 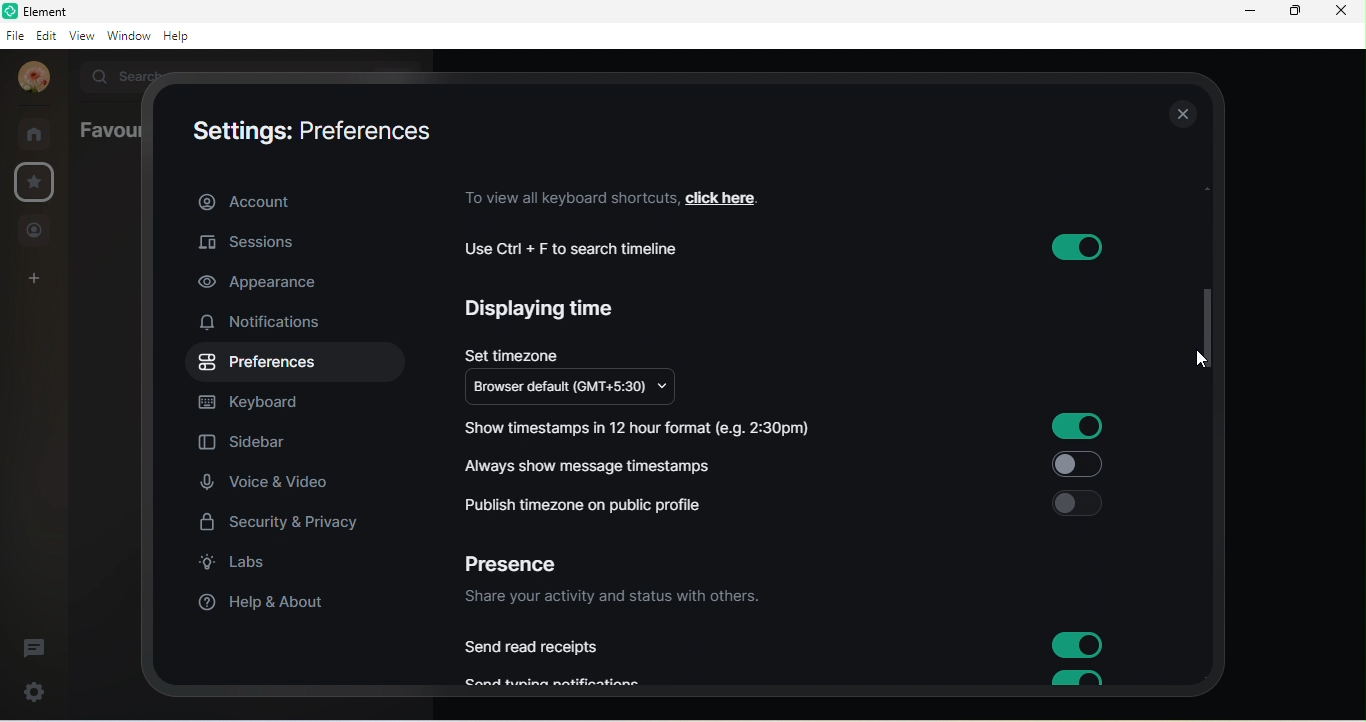 I want to click on button, so click(x=1078, y=646).